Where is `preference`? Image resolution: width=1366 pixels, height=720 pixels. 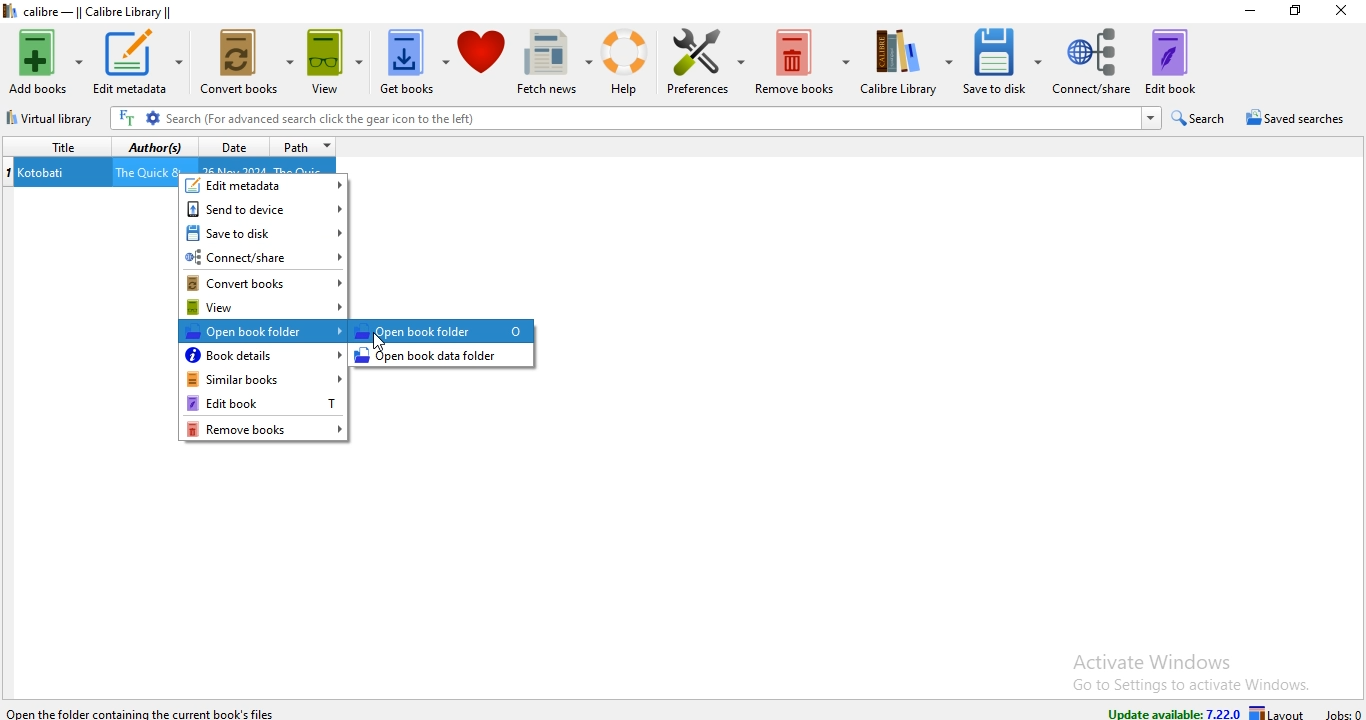
preference is located at coordinates (701, 62).